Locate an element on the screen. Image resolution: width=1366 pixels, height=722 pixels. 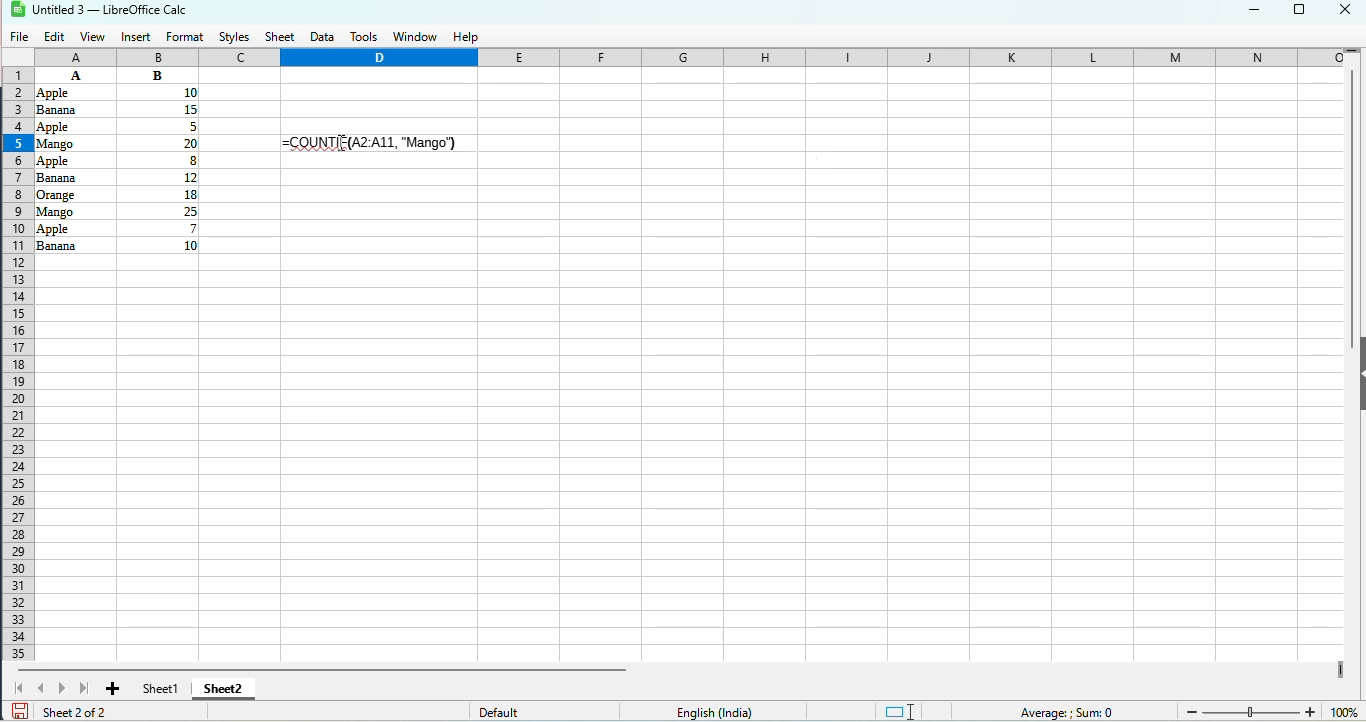
=COUNTIF(A2:A11, "Mango") typed and "Enter" pressed is located at coordinates (370, 142).